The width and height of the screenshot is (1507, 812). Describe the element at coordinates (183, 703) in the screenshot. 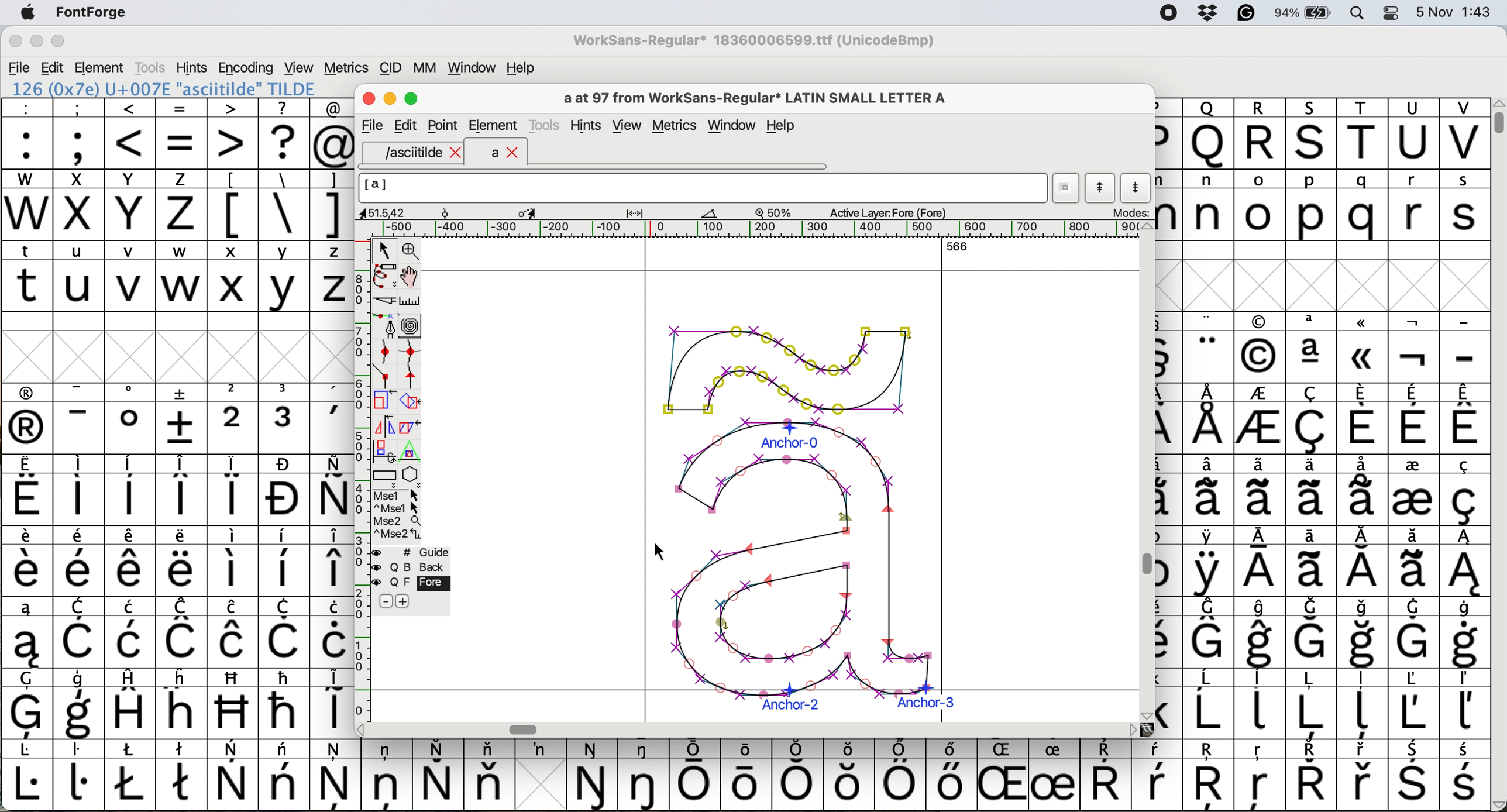

I see `` at that location.